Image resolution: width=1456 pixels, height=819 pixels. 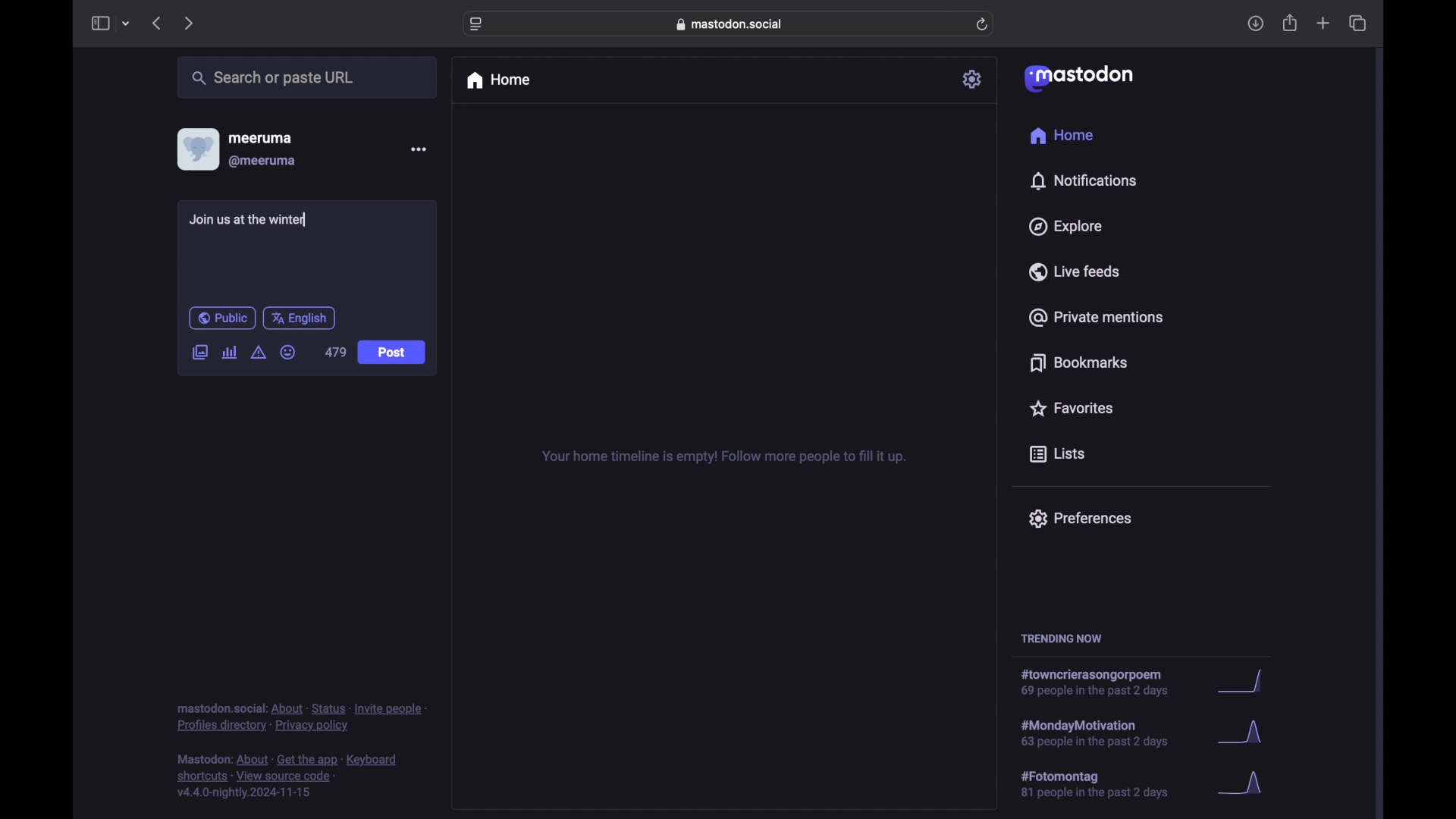 What do you see at coordinates (335, 353) in the screenshot?
I see `479` at bounding box center [335, 353].